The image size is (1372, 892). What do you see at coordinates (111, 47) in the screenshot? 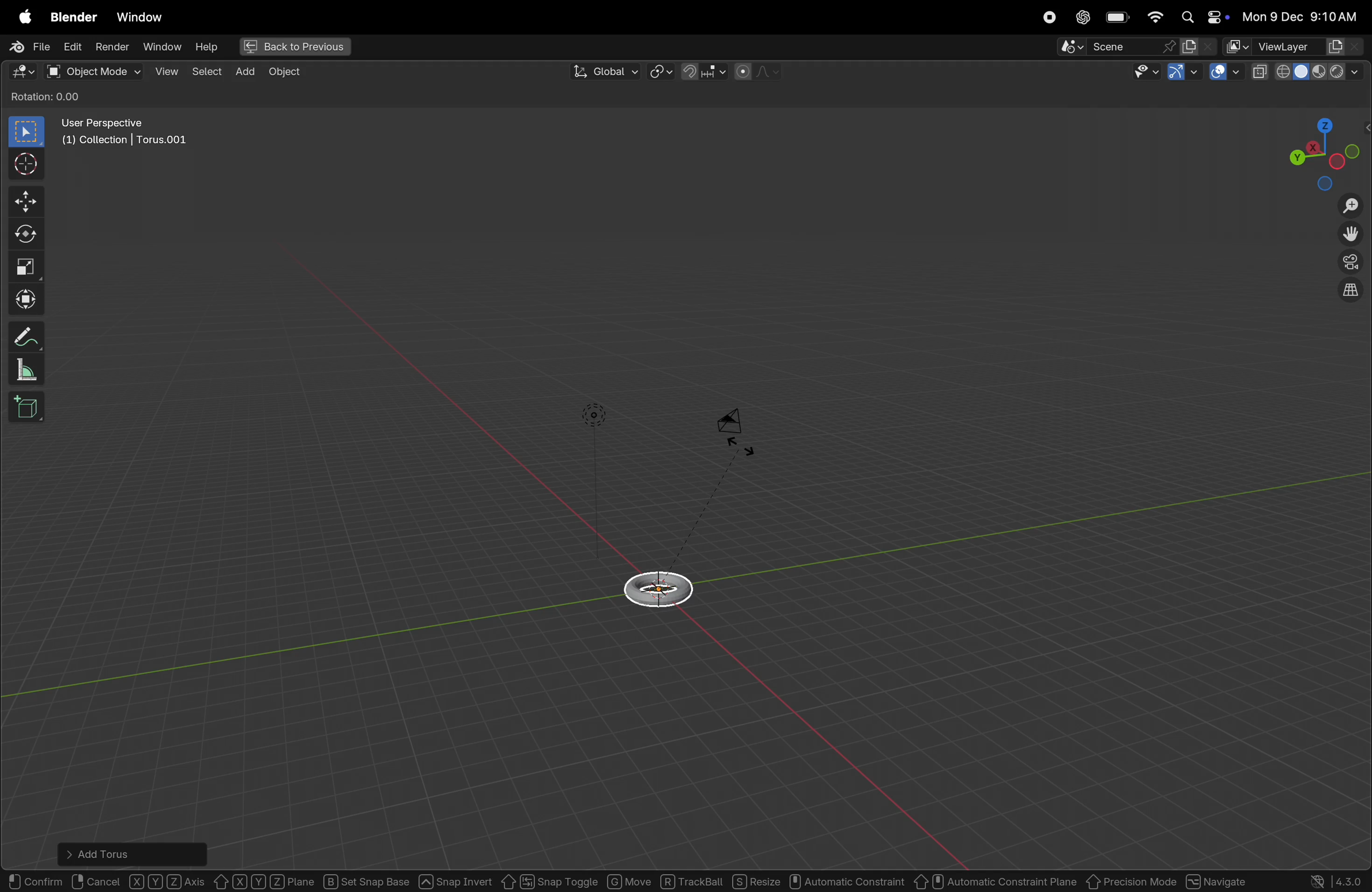
I see `render` at bounding box center [111, 47].